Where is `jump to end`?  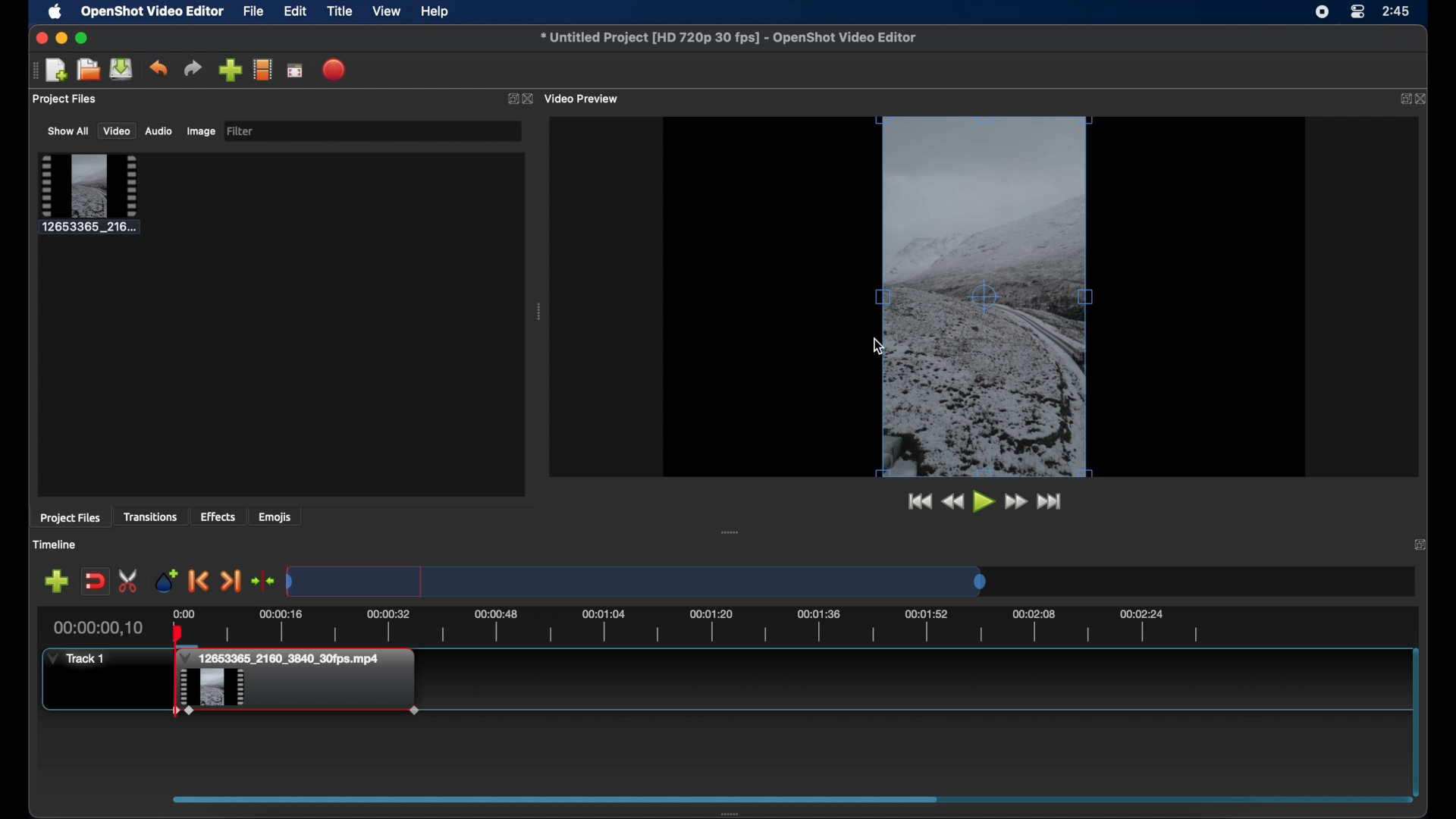
jump to end is located at coordinates (1050, 501).